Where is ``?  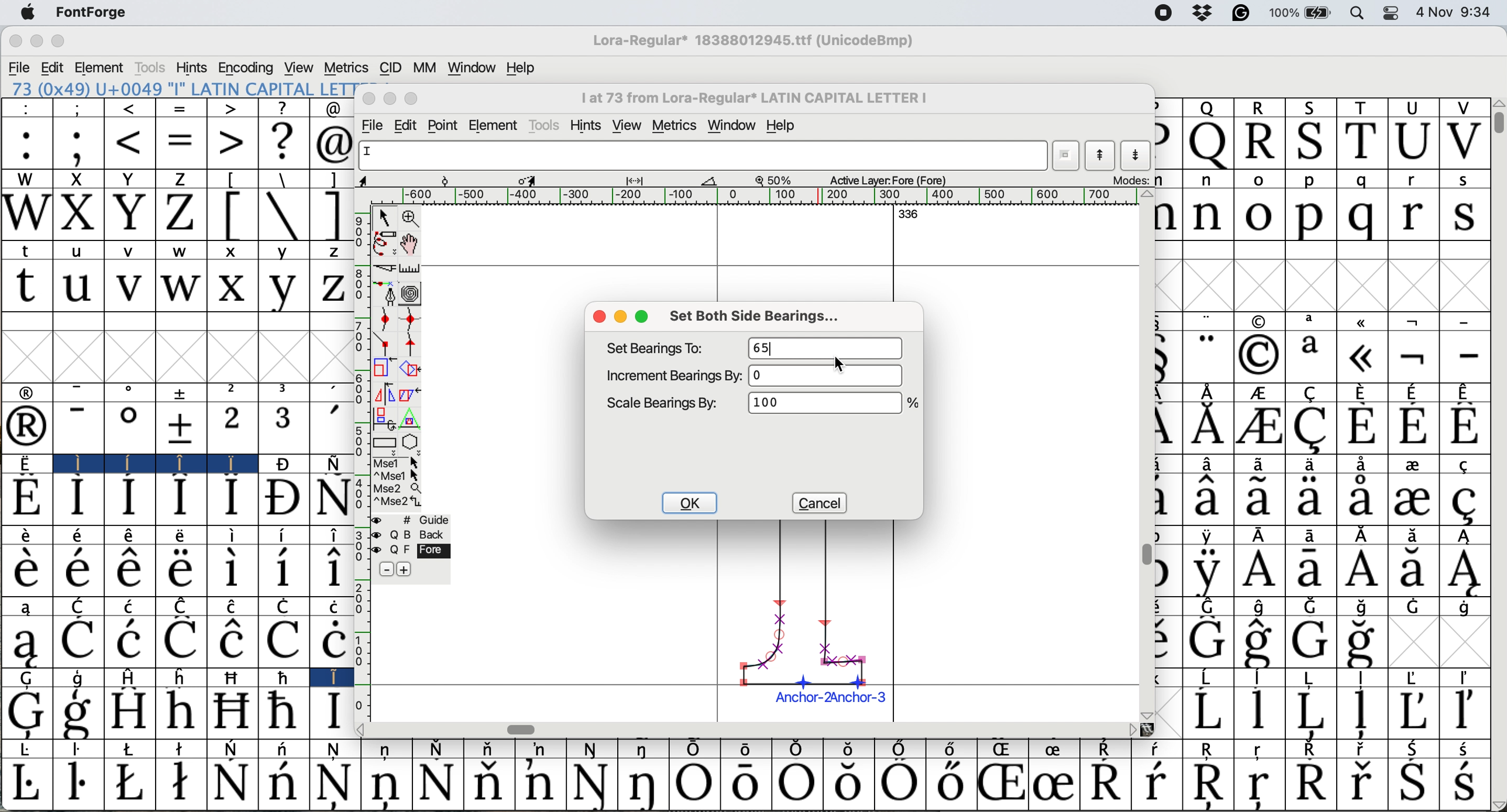
 is located at coordinates (380, 550).